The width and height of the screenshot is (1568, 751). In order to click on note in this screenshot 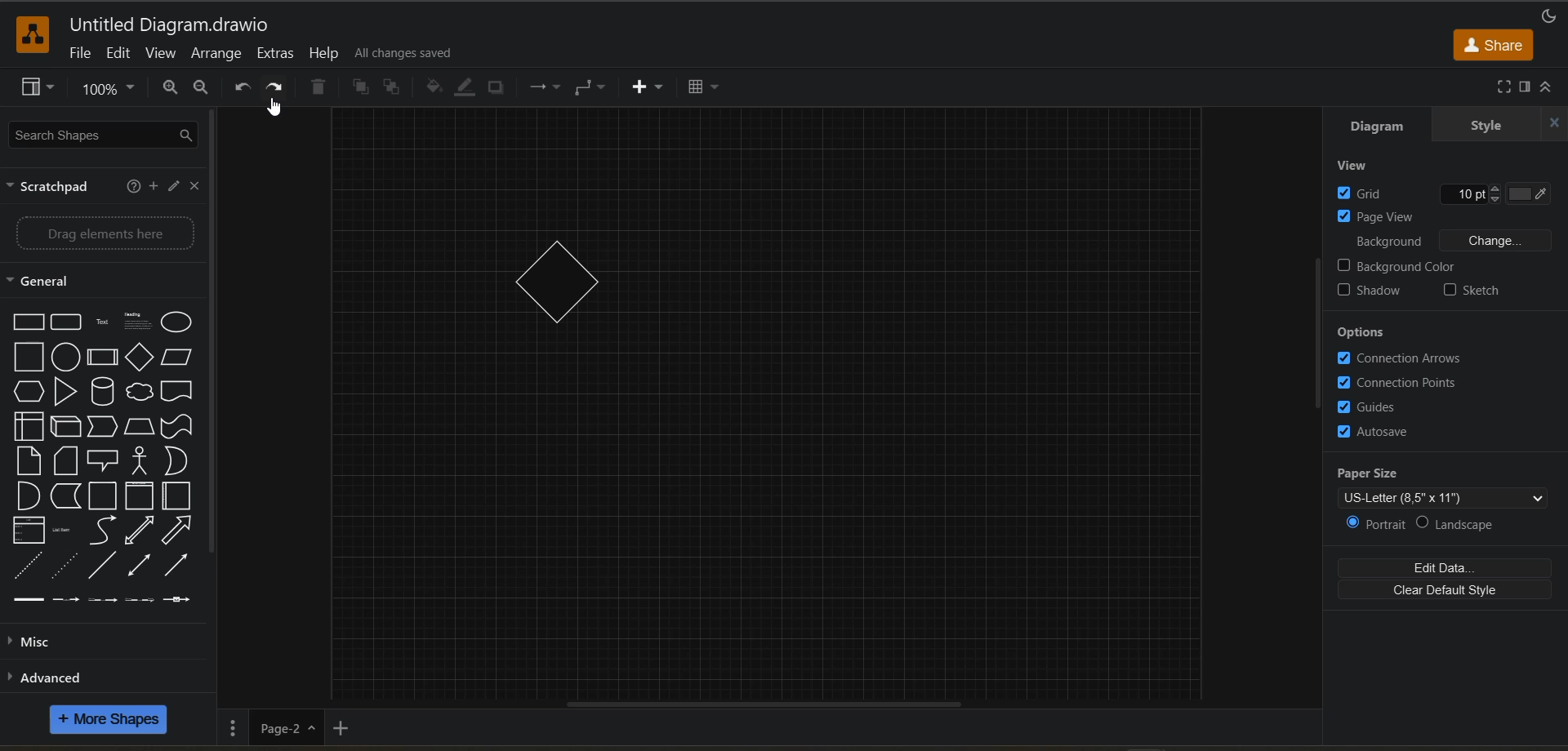, I will do `click(27, 462)`.